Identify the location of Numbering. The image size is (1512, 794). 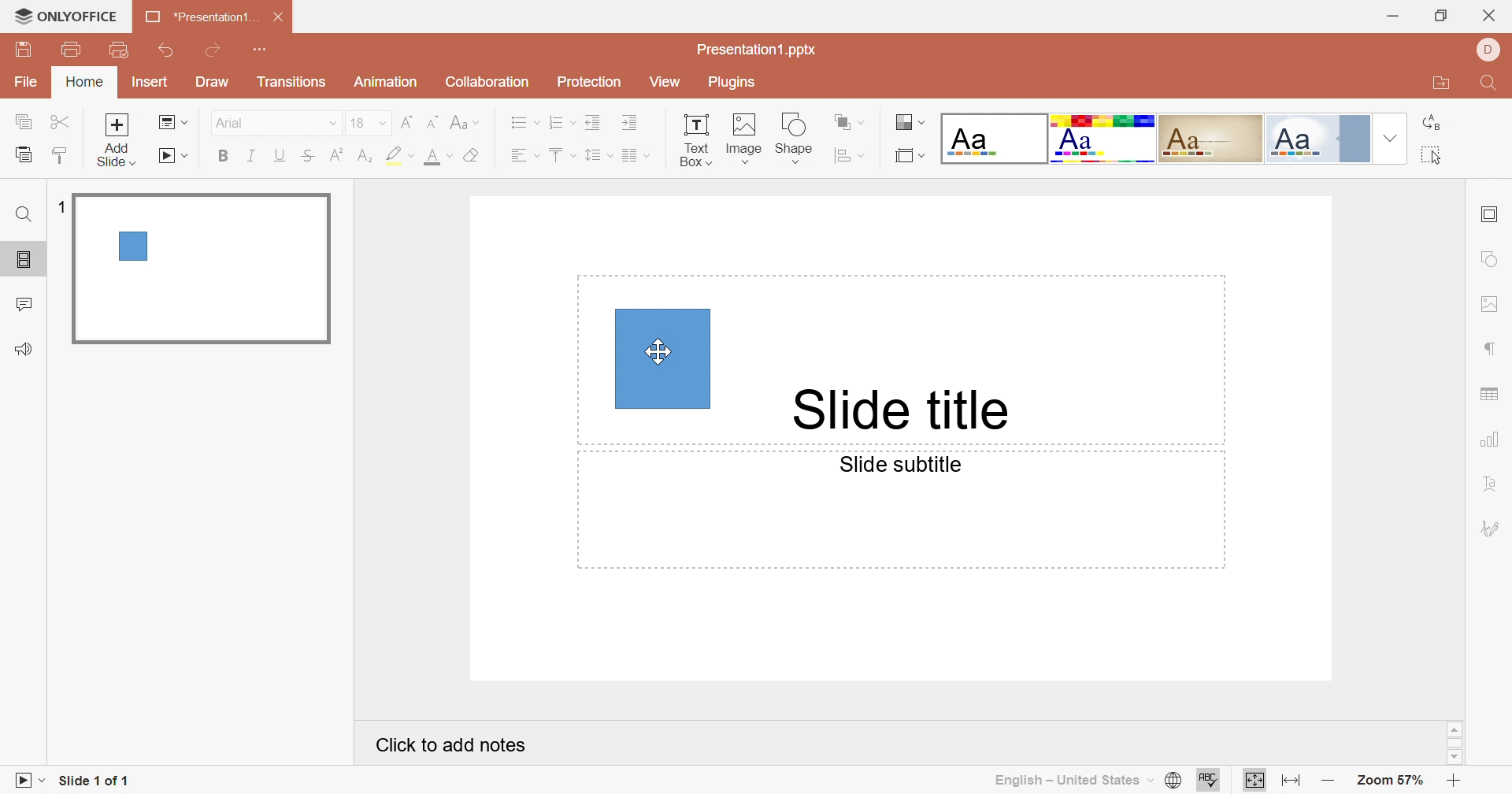
(565, 125).